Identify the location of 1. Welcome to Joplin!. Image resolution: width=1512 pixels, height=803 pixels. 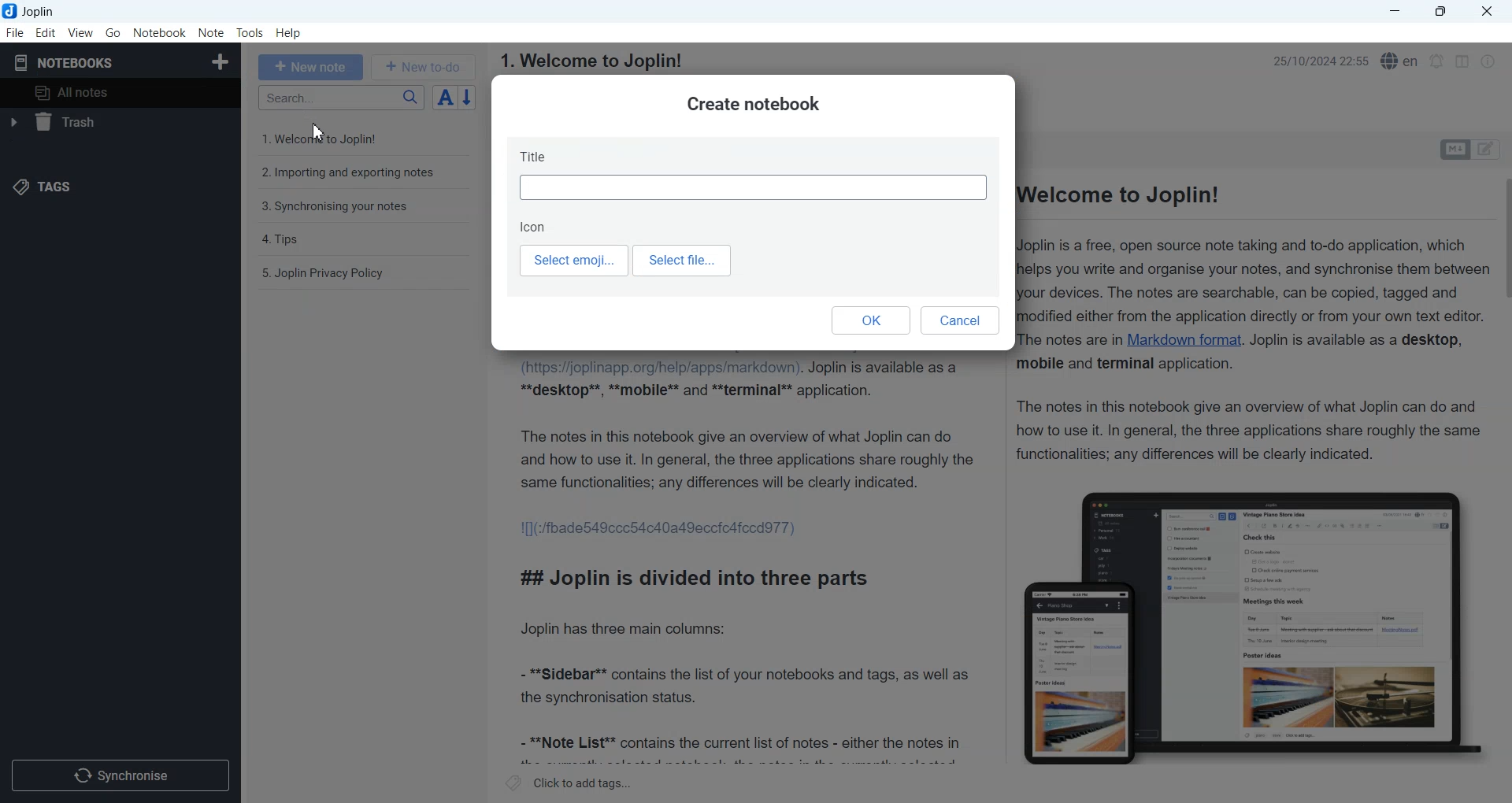
(590, 61).